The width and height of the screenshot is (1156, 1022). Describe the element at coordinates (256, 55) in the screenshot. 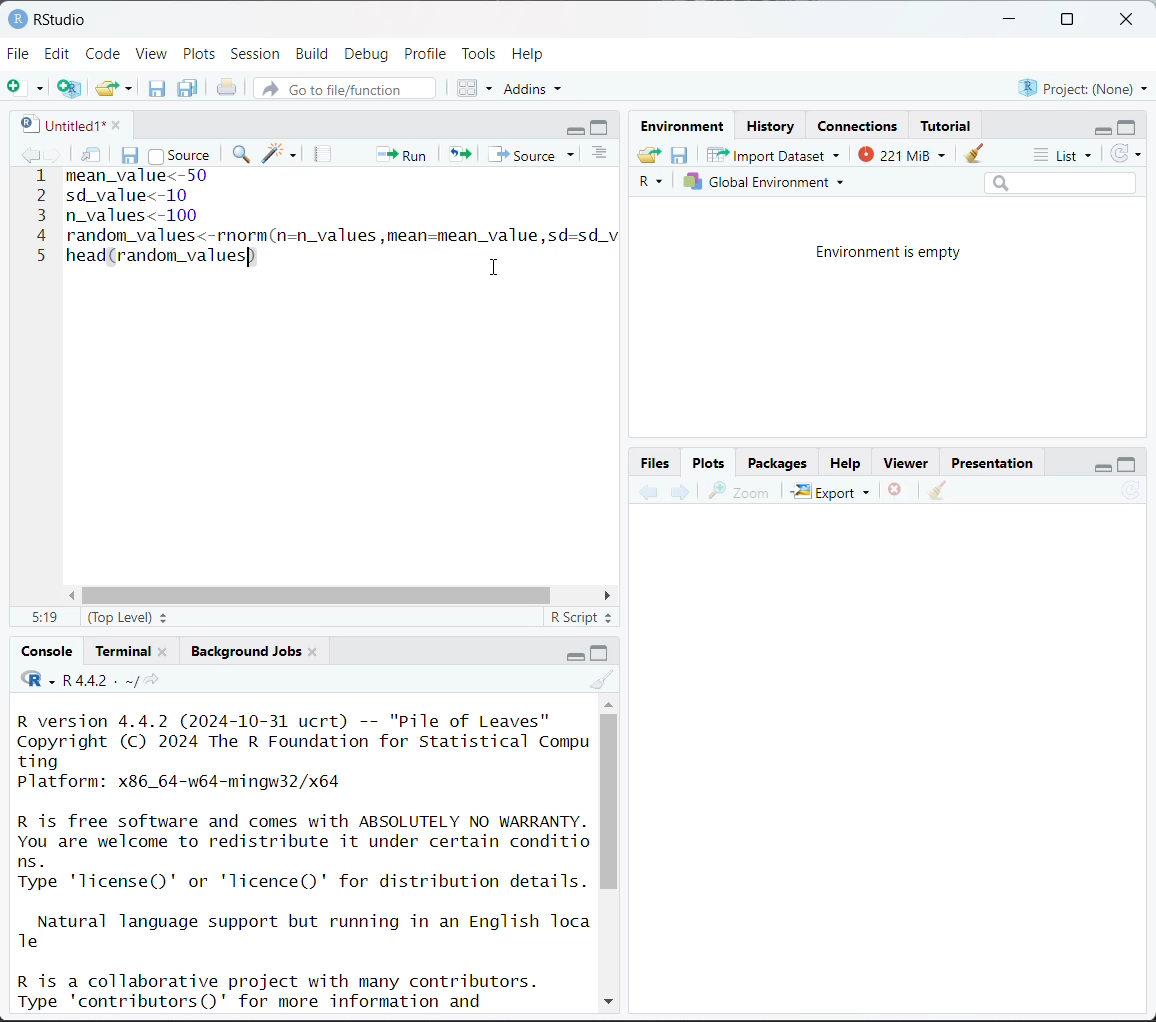

I see `Session` at that location.